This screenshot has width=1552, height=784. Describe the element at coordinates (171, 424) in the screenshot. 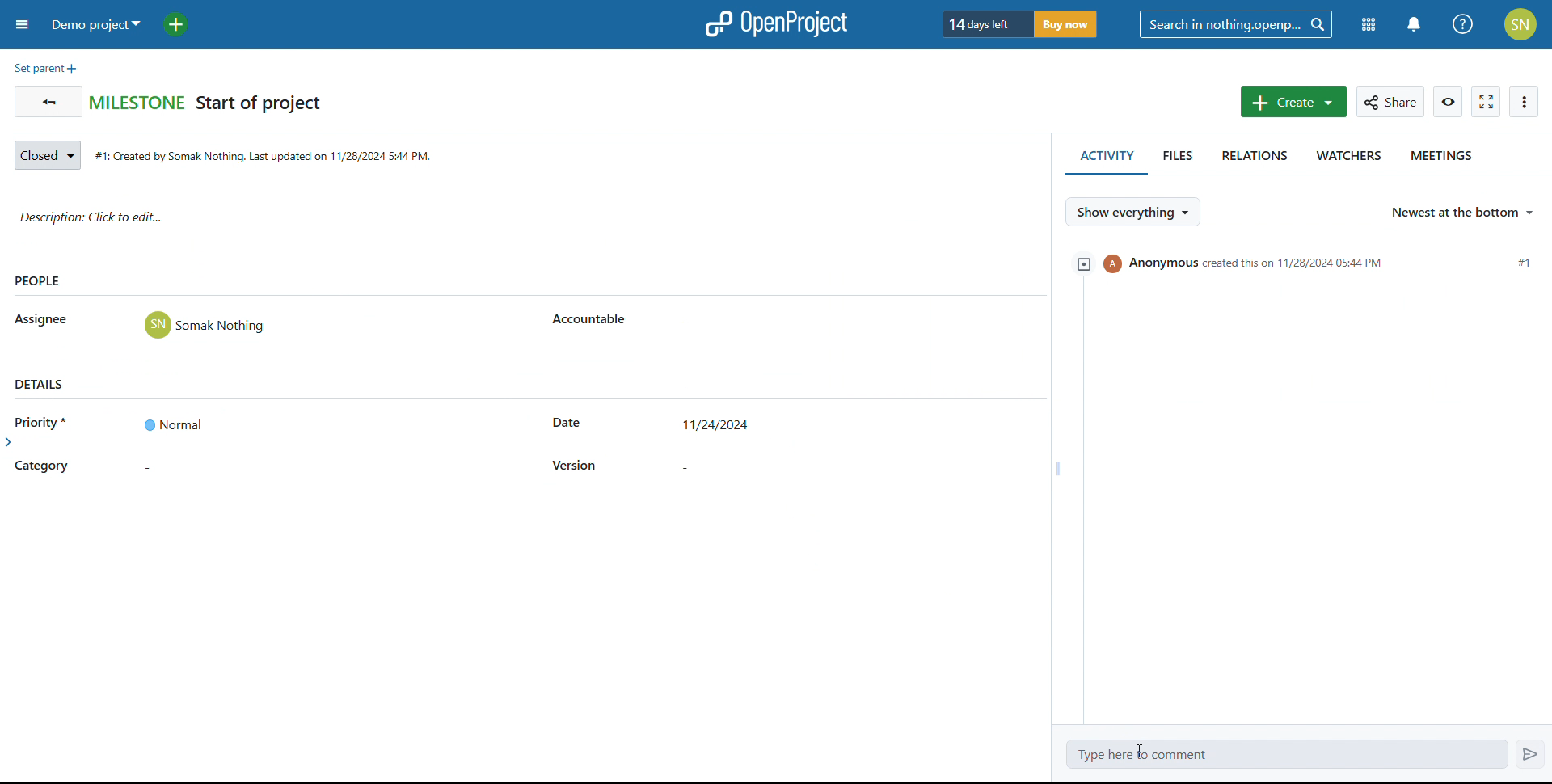

I see `set priority` at that location.